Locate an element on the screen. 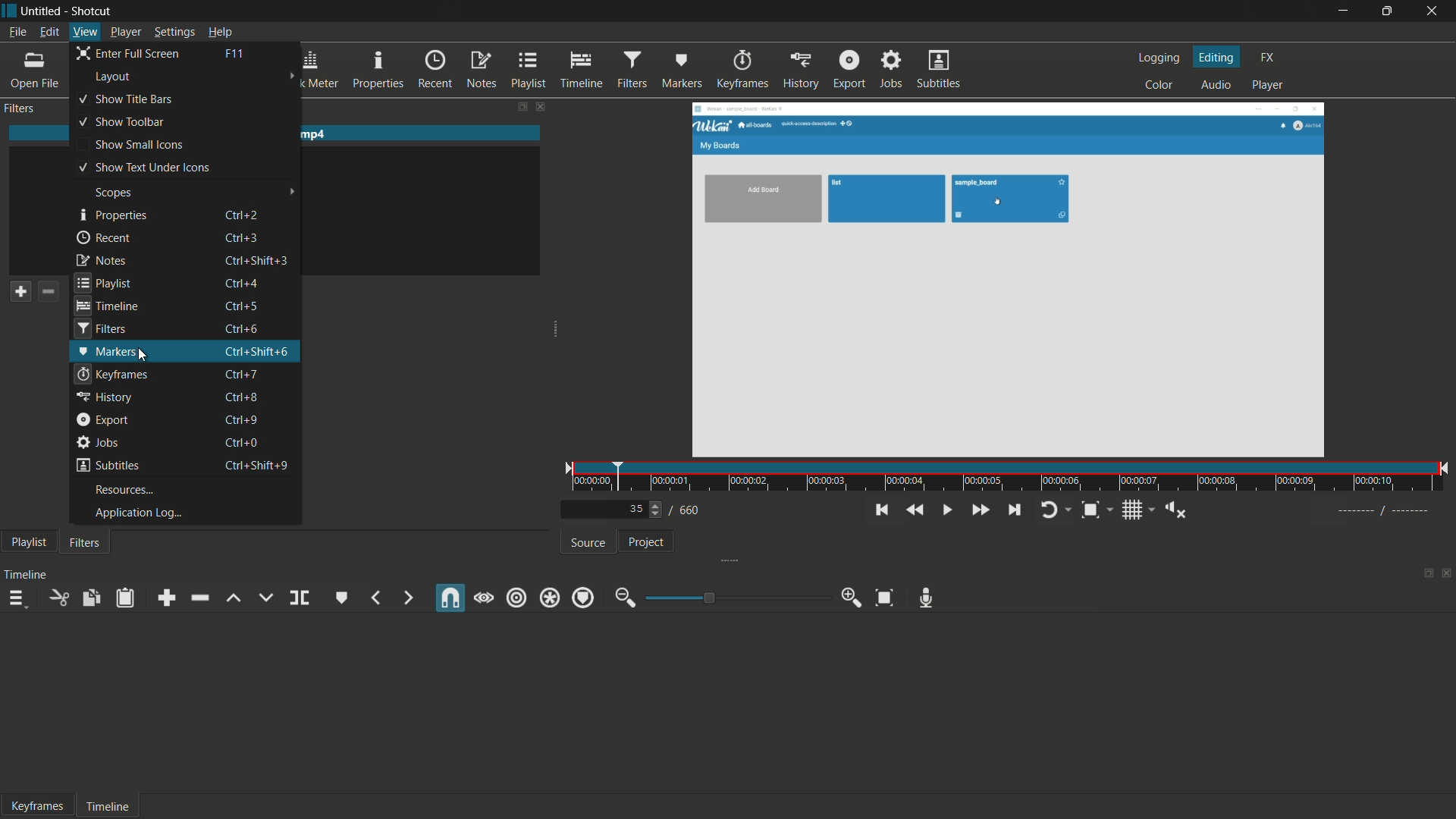 The image size is (1456, 819). skip to the previous point is located at coordinates (880, 510).